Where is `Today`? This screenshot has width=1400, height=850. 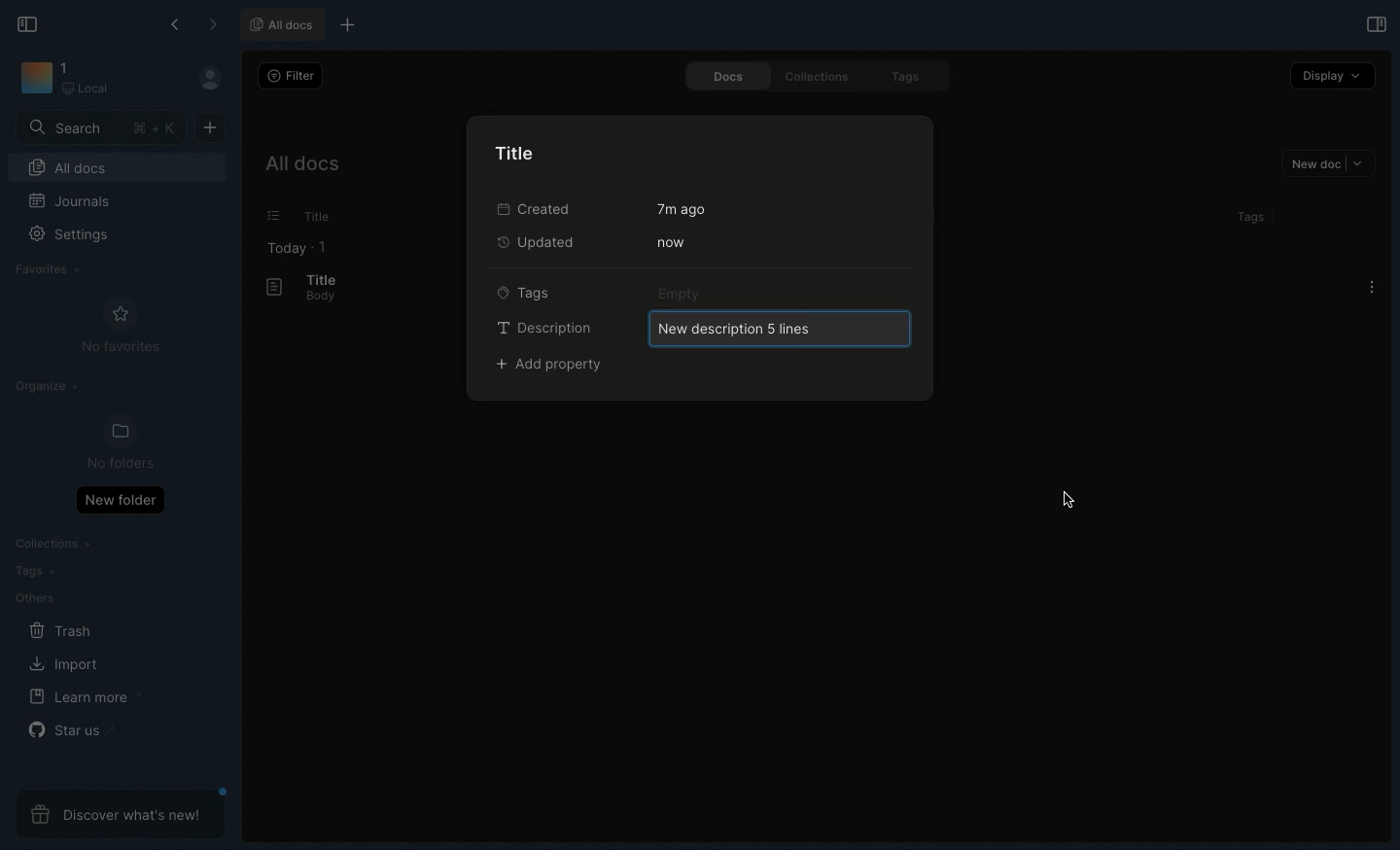 Today is located at coordinates (281, 248).